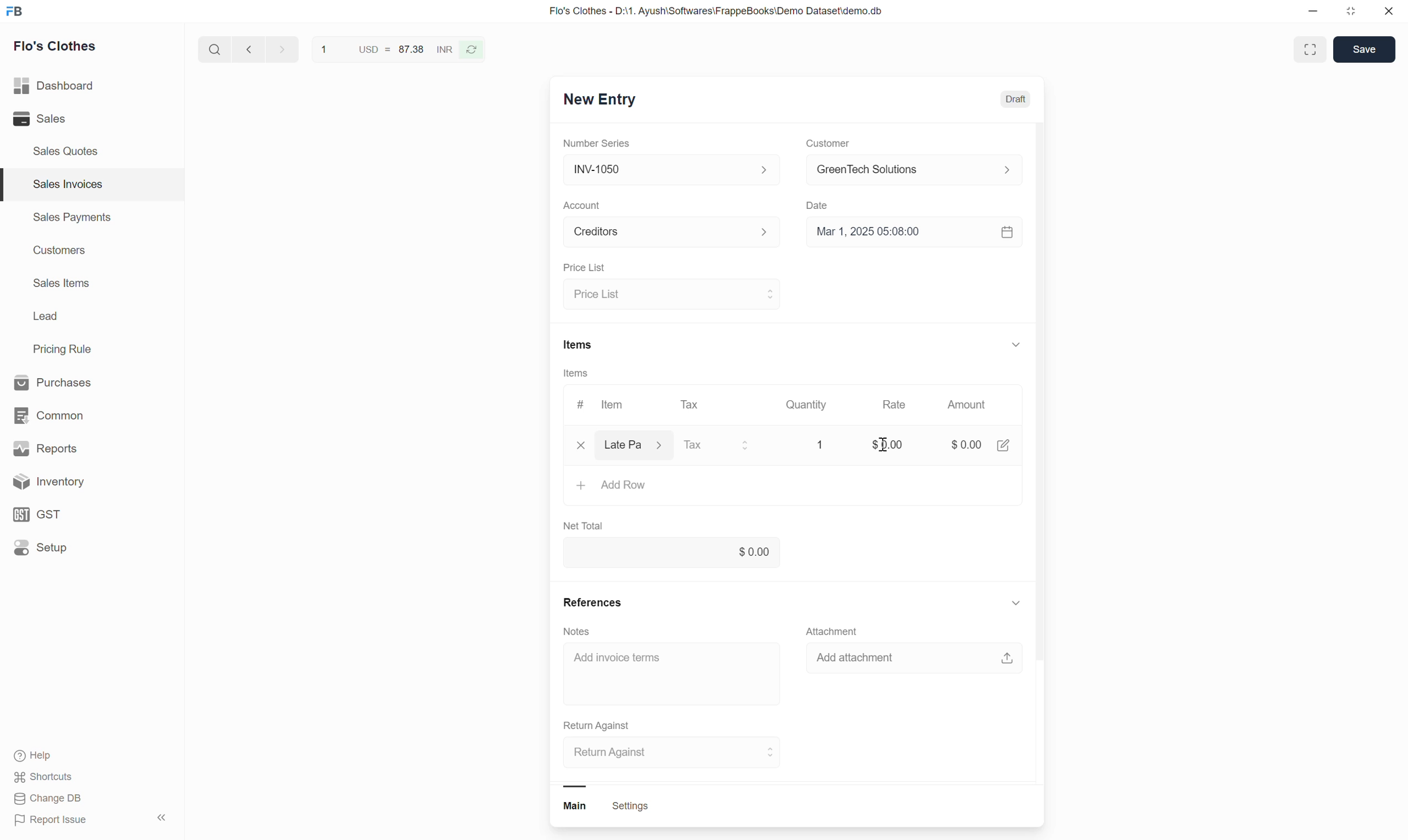 Image resolution: width=1408 pixels, height=840 pixels. What do you see at coordinates (625, 483) in the screenshot?
I see `Add row ` at bounding box center [625, 483].